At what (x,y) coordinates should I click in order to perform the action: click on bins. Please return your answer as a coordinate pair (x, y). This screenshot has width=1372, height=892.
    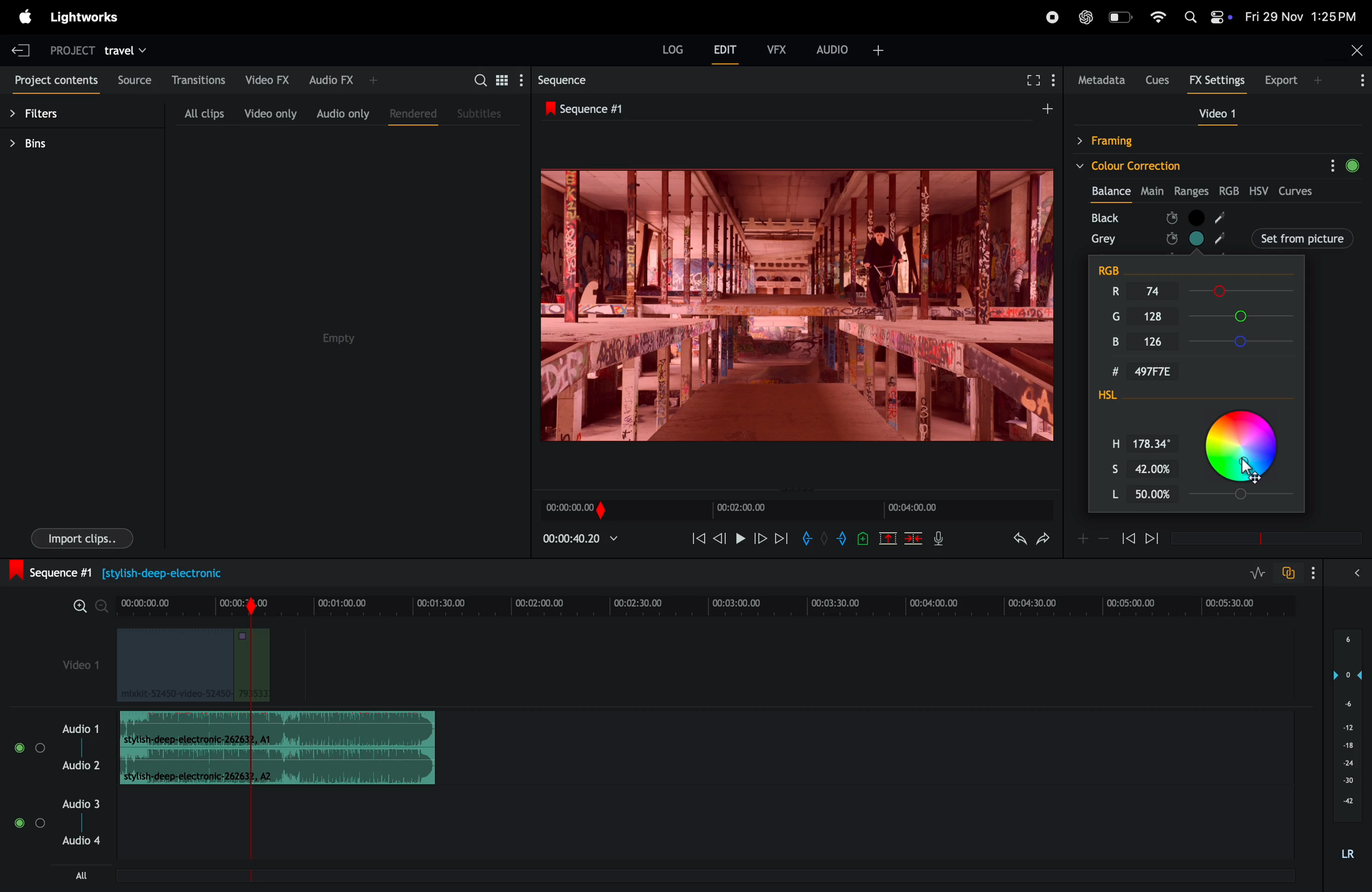
    Looking at the image, I should click on (42, 144).